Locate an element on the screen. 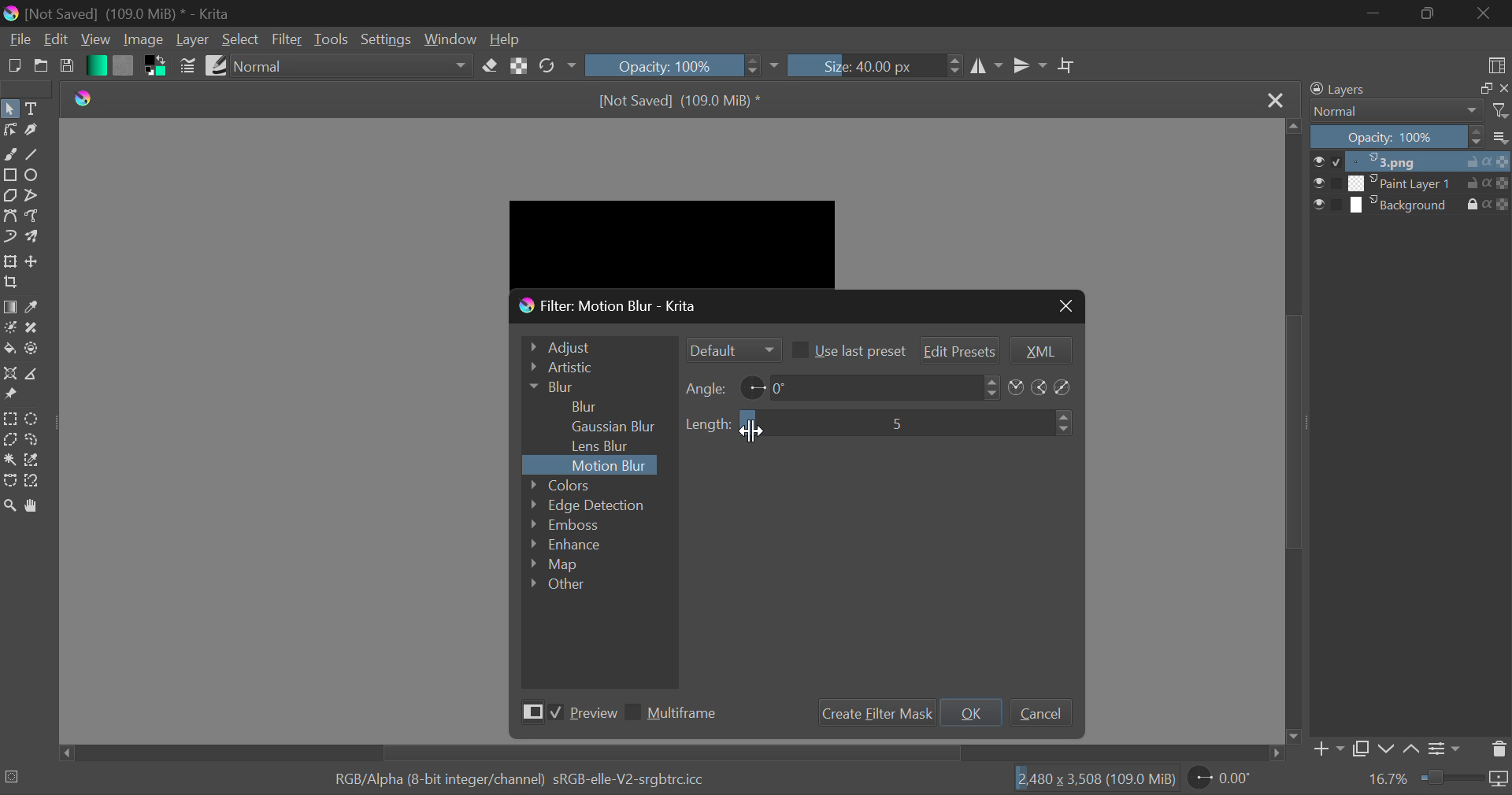 The width and height of the screenshot is (1512, 795). Settings is located at coordinates (1447, 747).